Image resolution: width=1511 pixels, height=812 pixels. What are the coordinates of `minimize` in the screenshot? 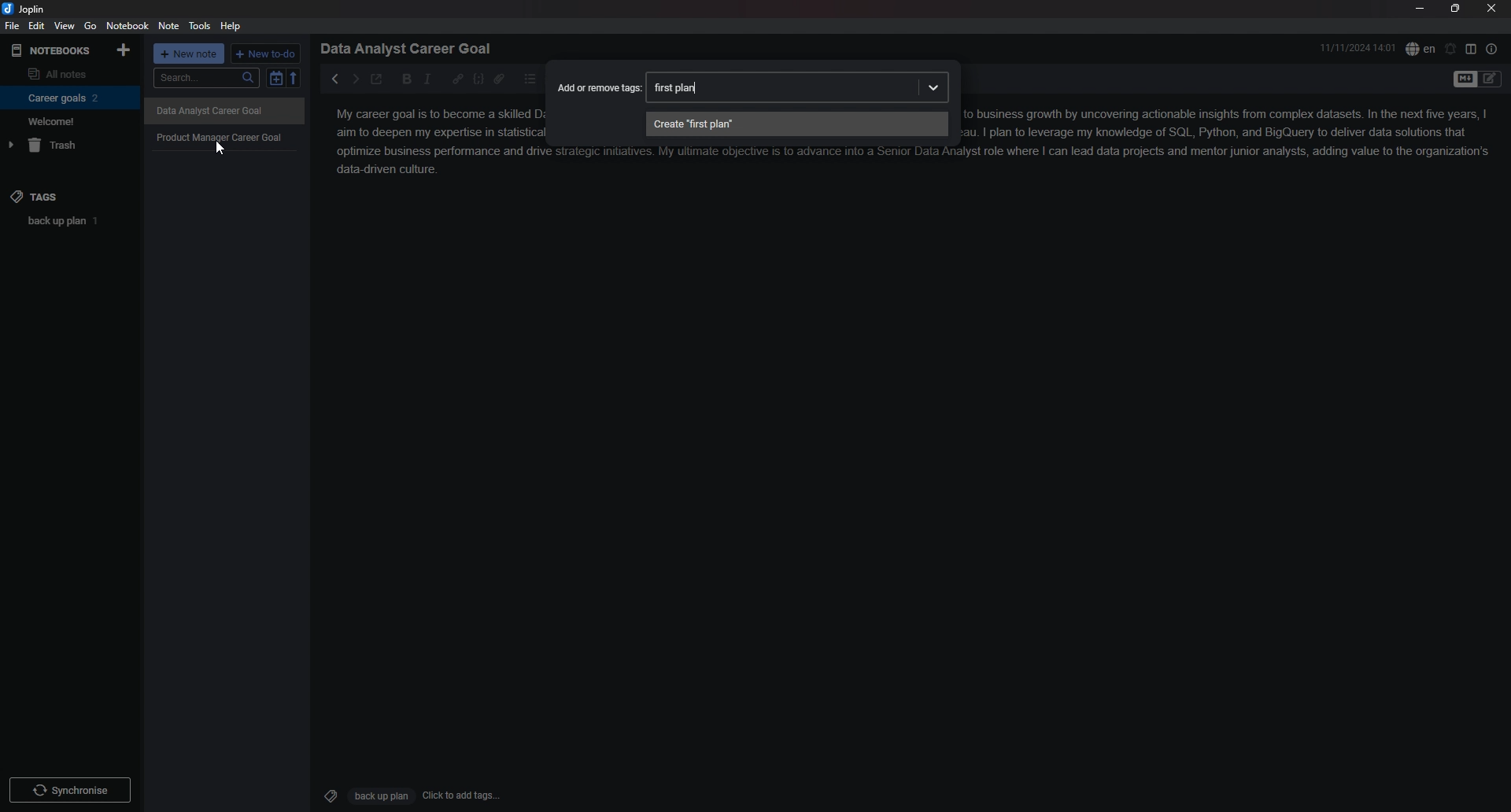 It's located at (1419, 8).